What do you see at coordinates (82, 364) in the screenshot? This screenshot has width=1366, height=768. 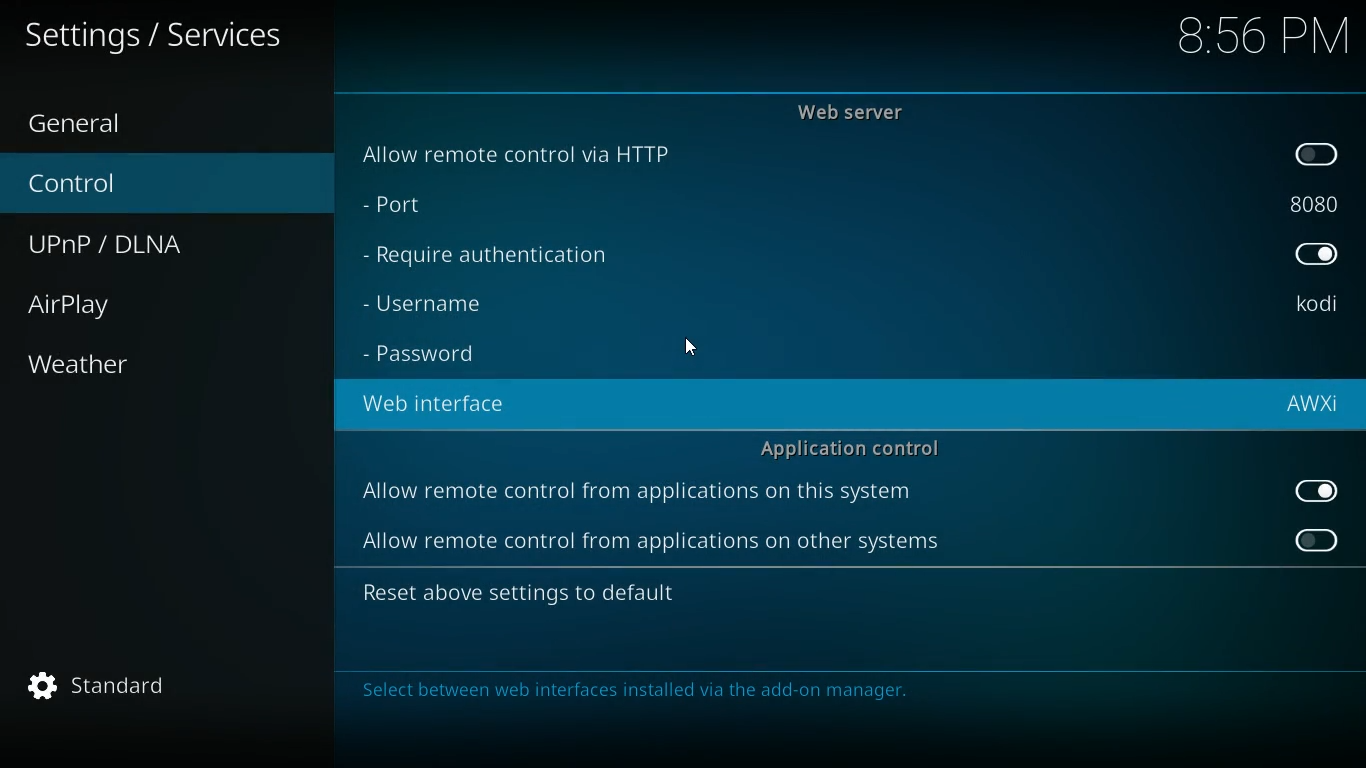 I see `Weather` at bounding box center [82, 364].